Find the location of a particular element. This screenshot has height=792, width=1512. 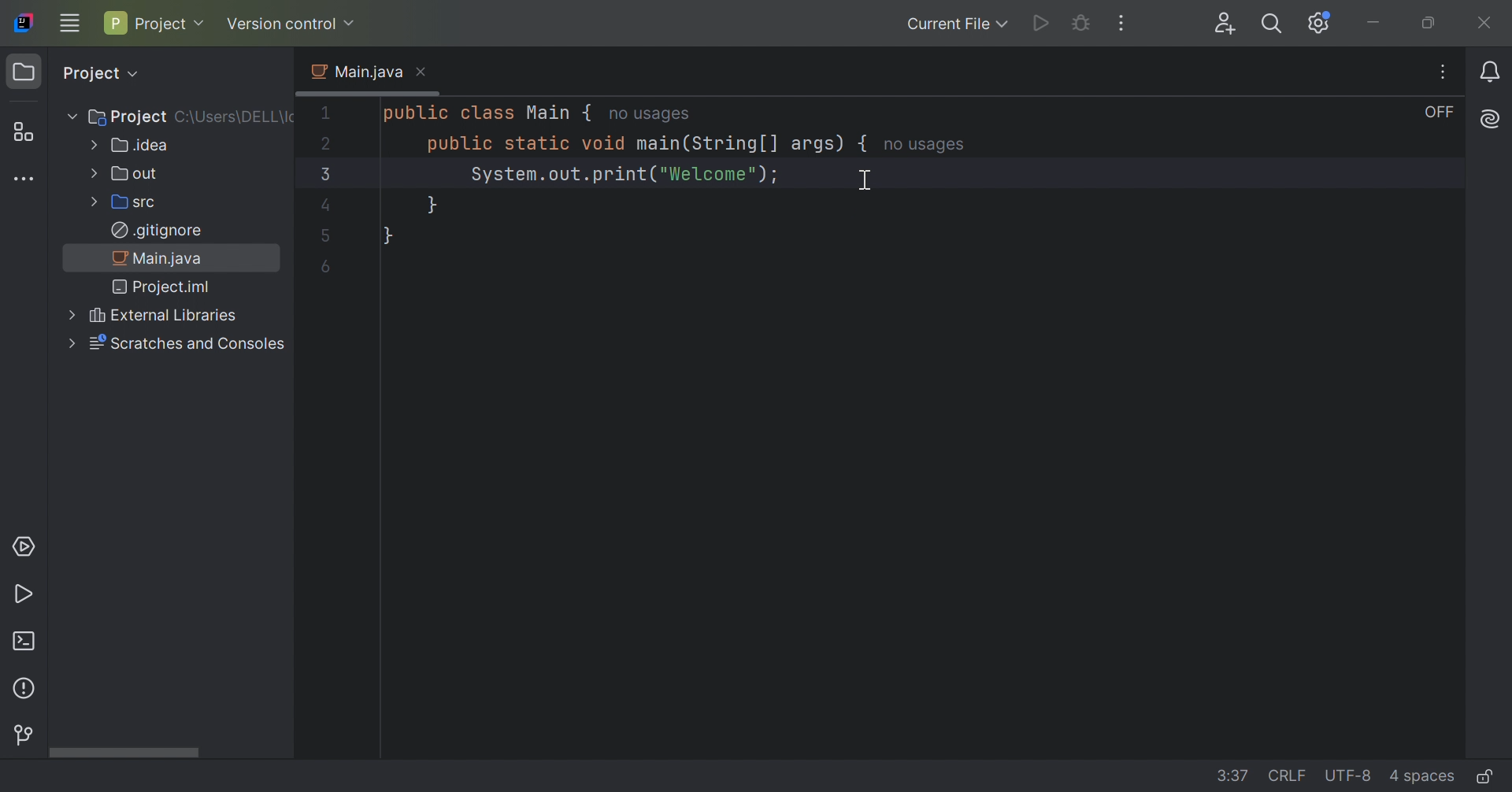

More tool windows is located at coordinates (28, 181).